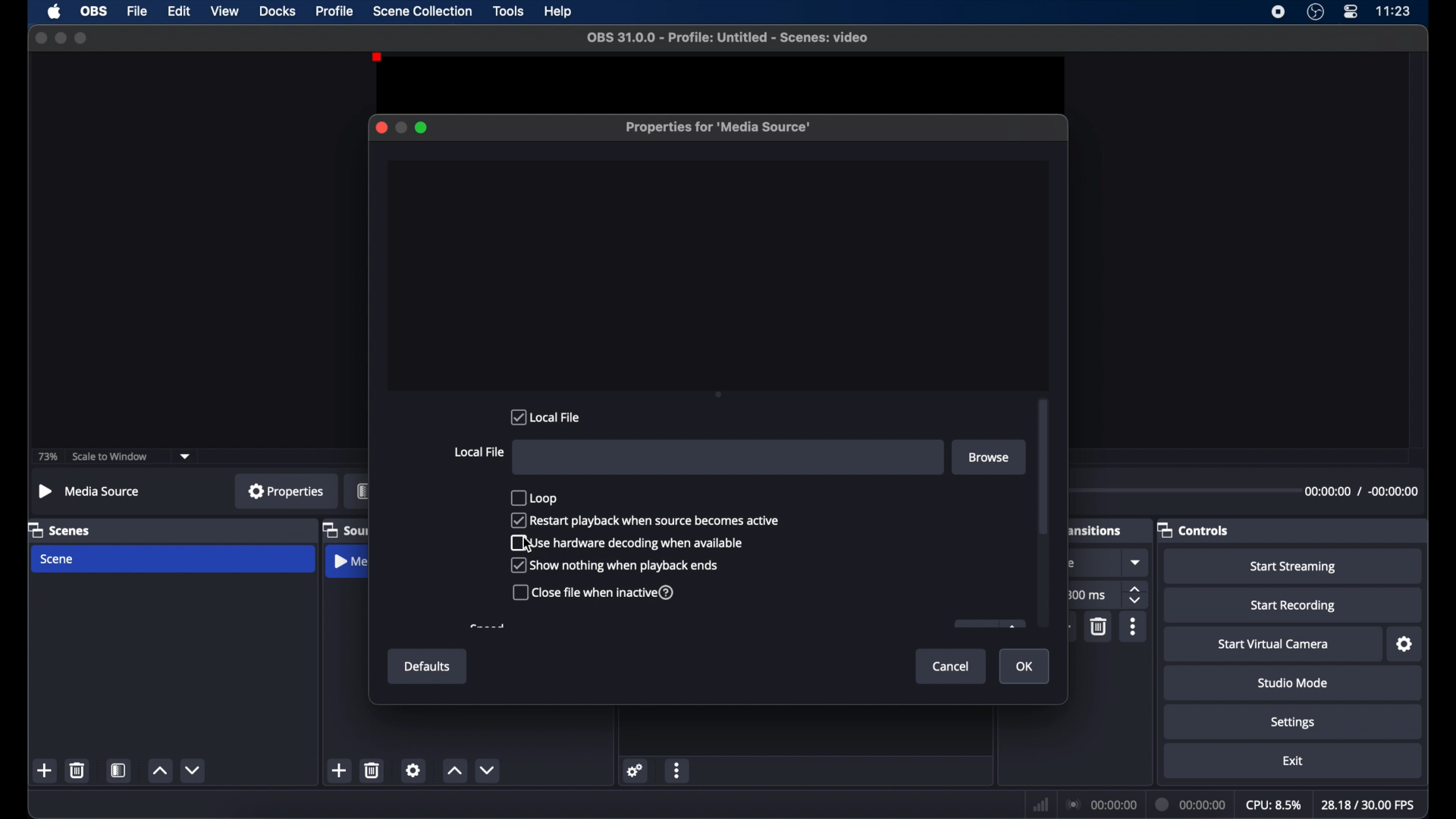 The image size is (1456, 819). I want to click on cancel, so click(950, 667).